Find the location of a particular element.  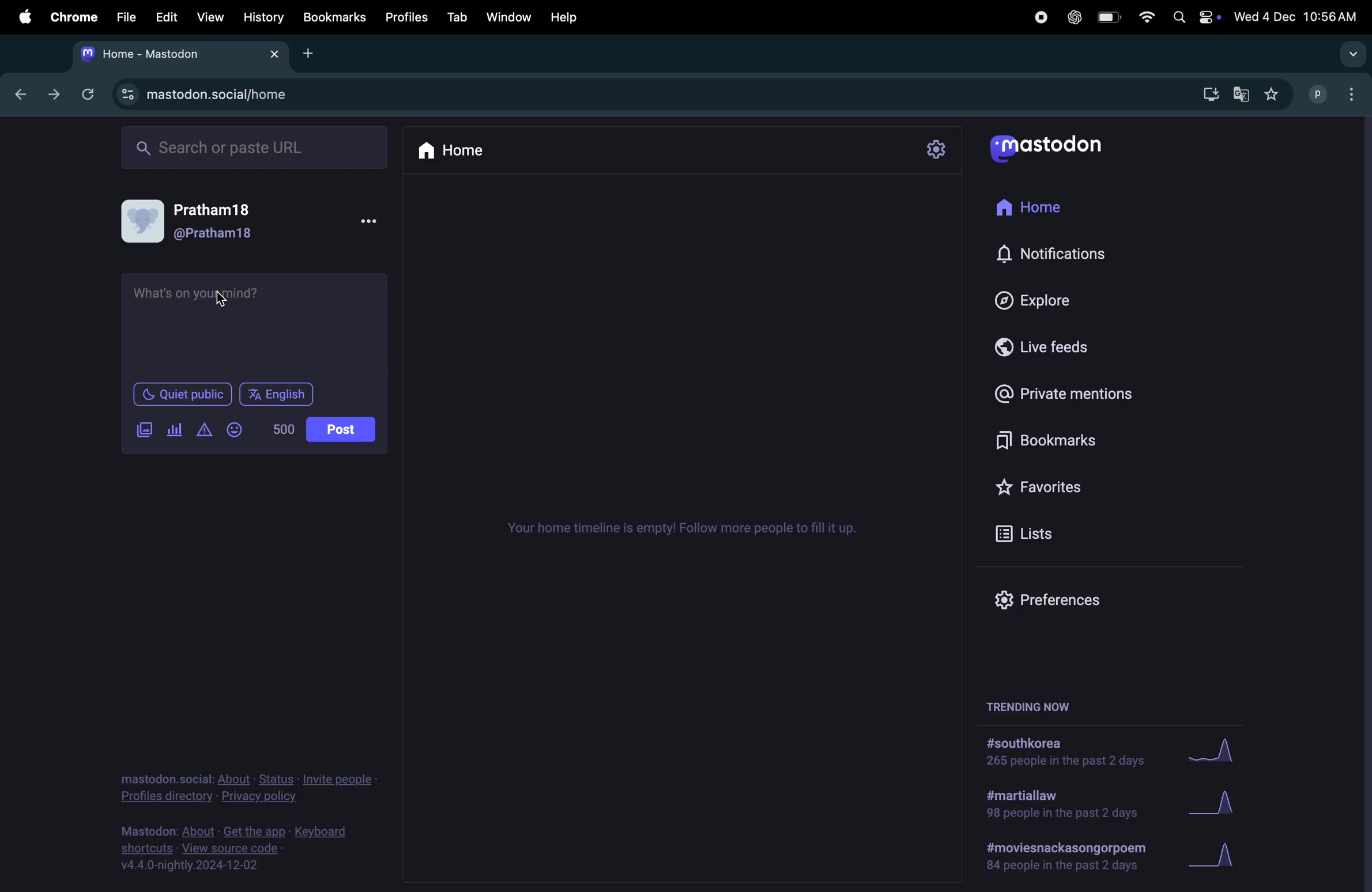

downlaods is located at coordinates (1206, 92).